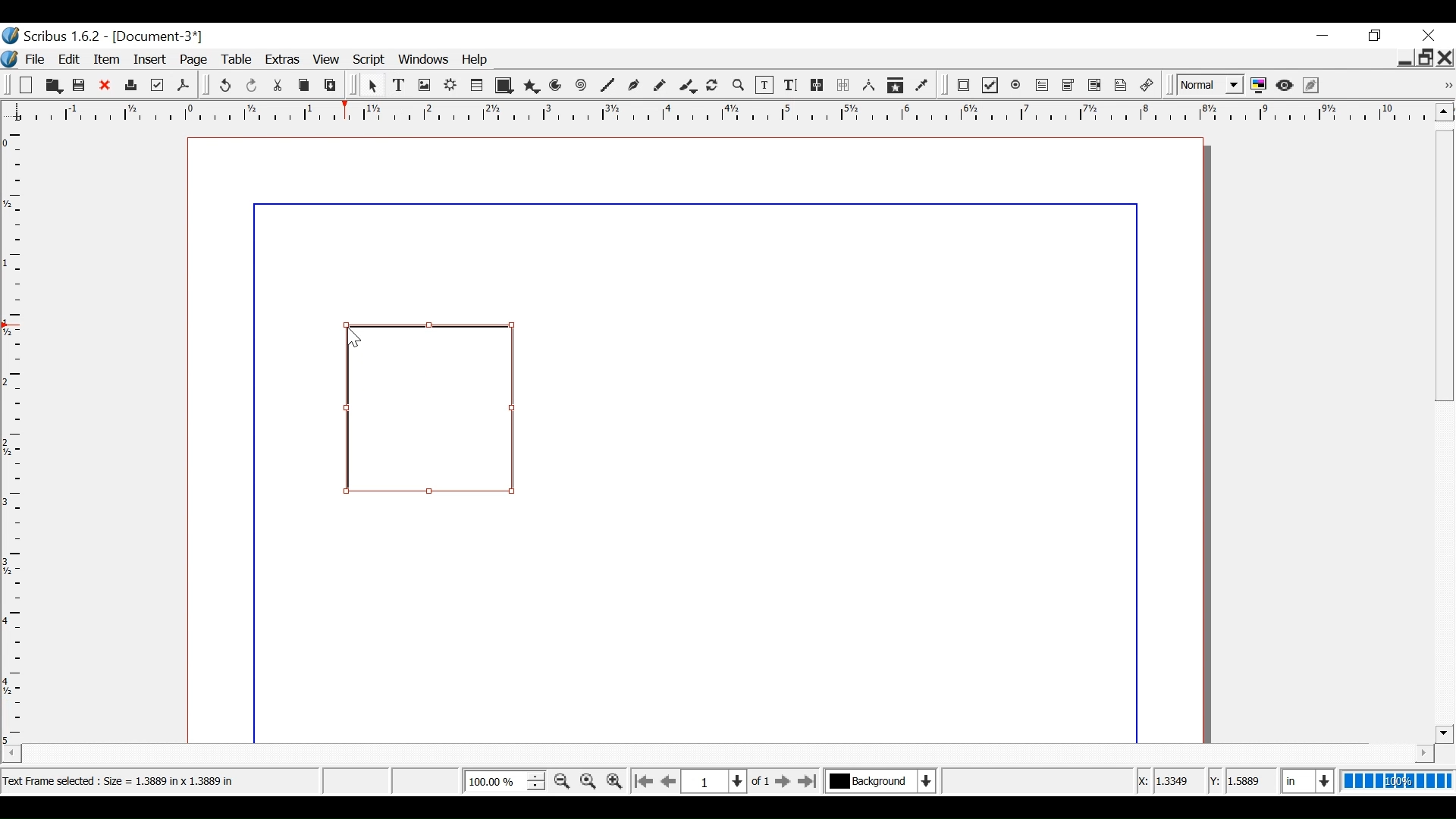 This screenshot has height=819, width=1456. I want to click on PDF Radio Button, so click(1017, 86).